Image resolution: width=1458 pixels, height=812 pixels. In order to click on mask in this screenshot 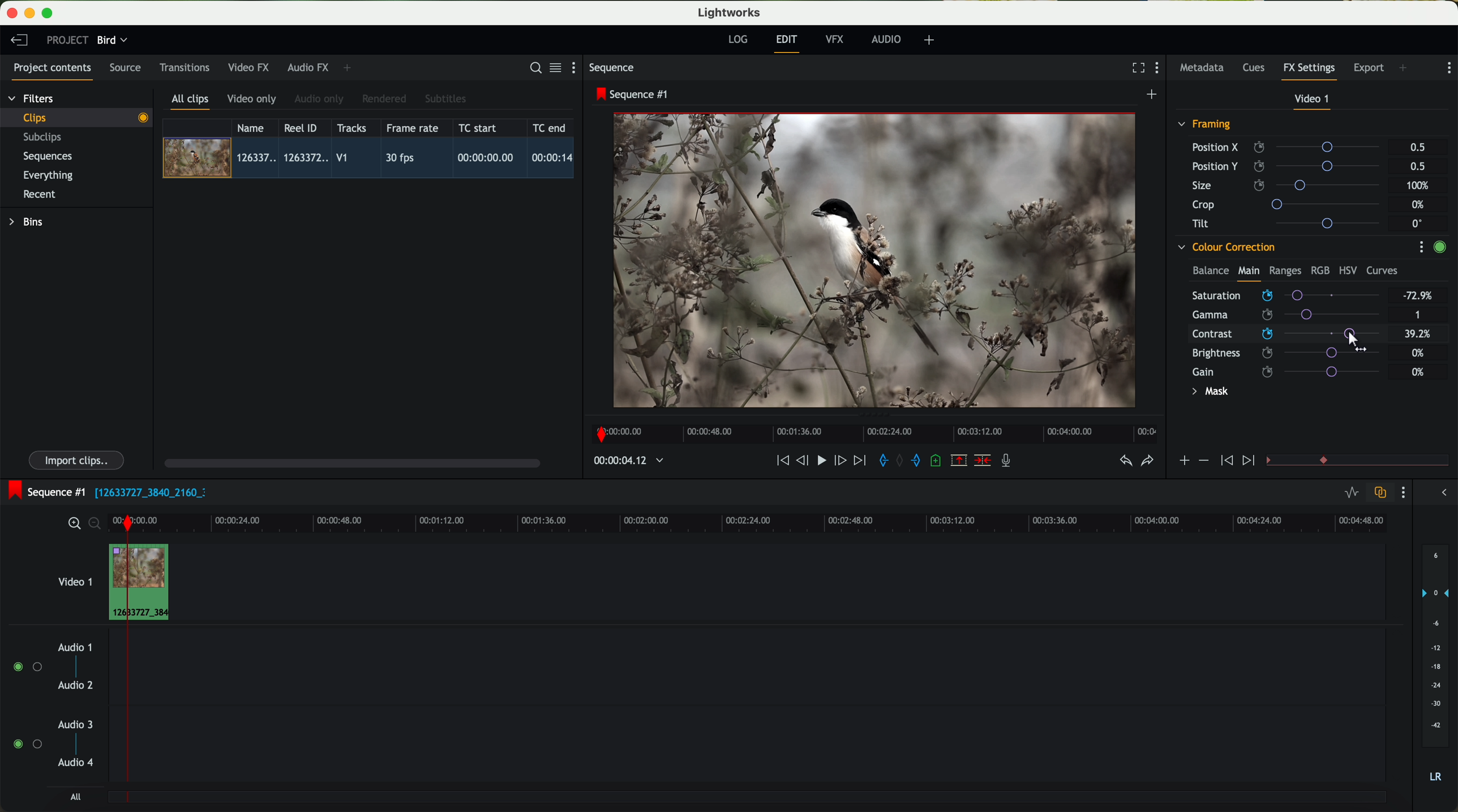, I will do `click(1208, 393)`.